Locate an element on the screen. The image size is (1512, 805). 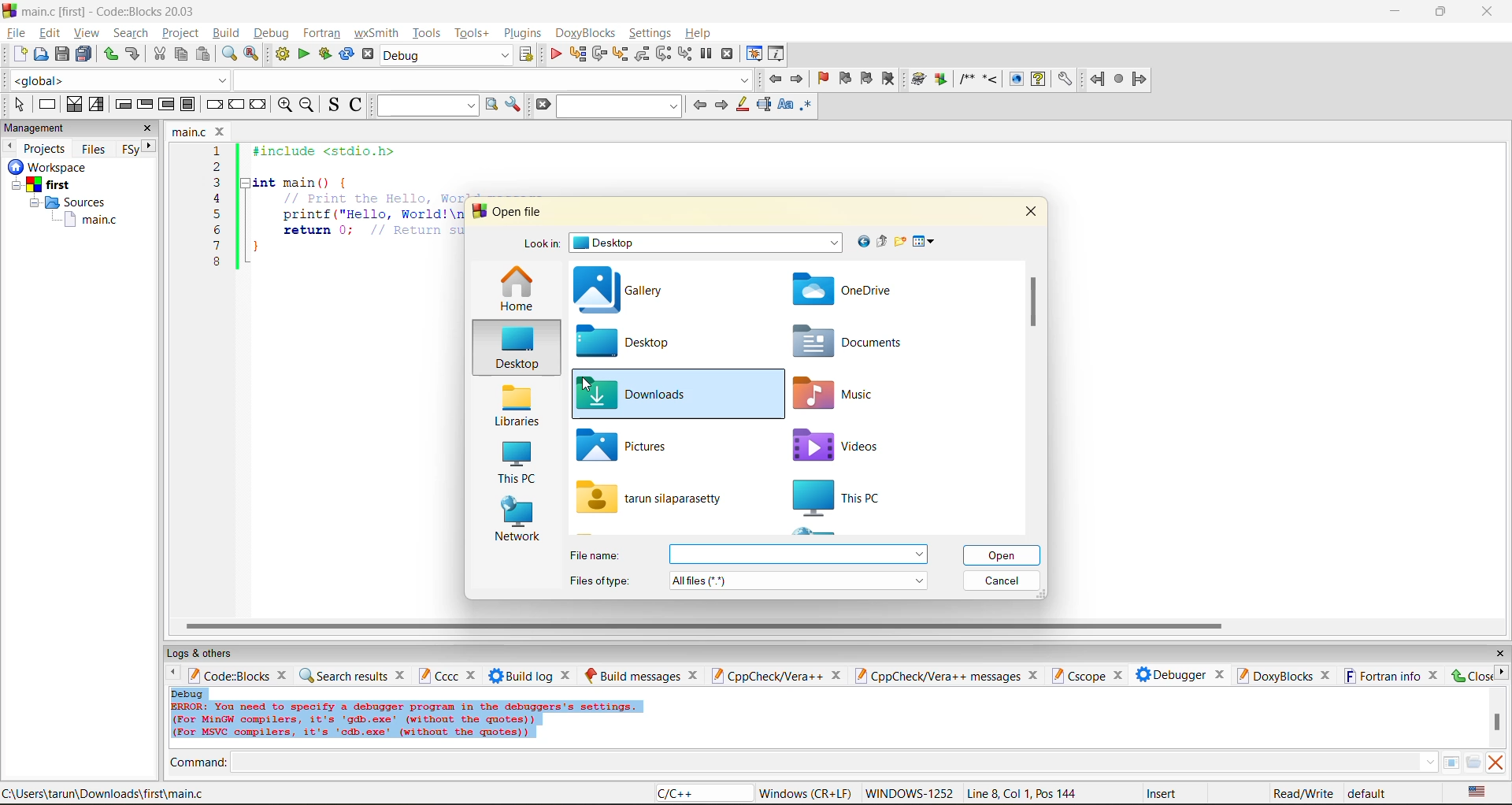
debug is located at coordinates (269, 33).